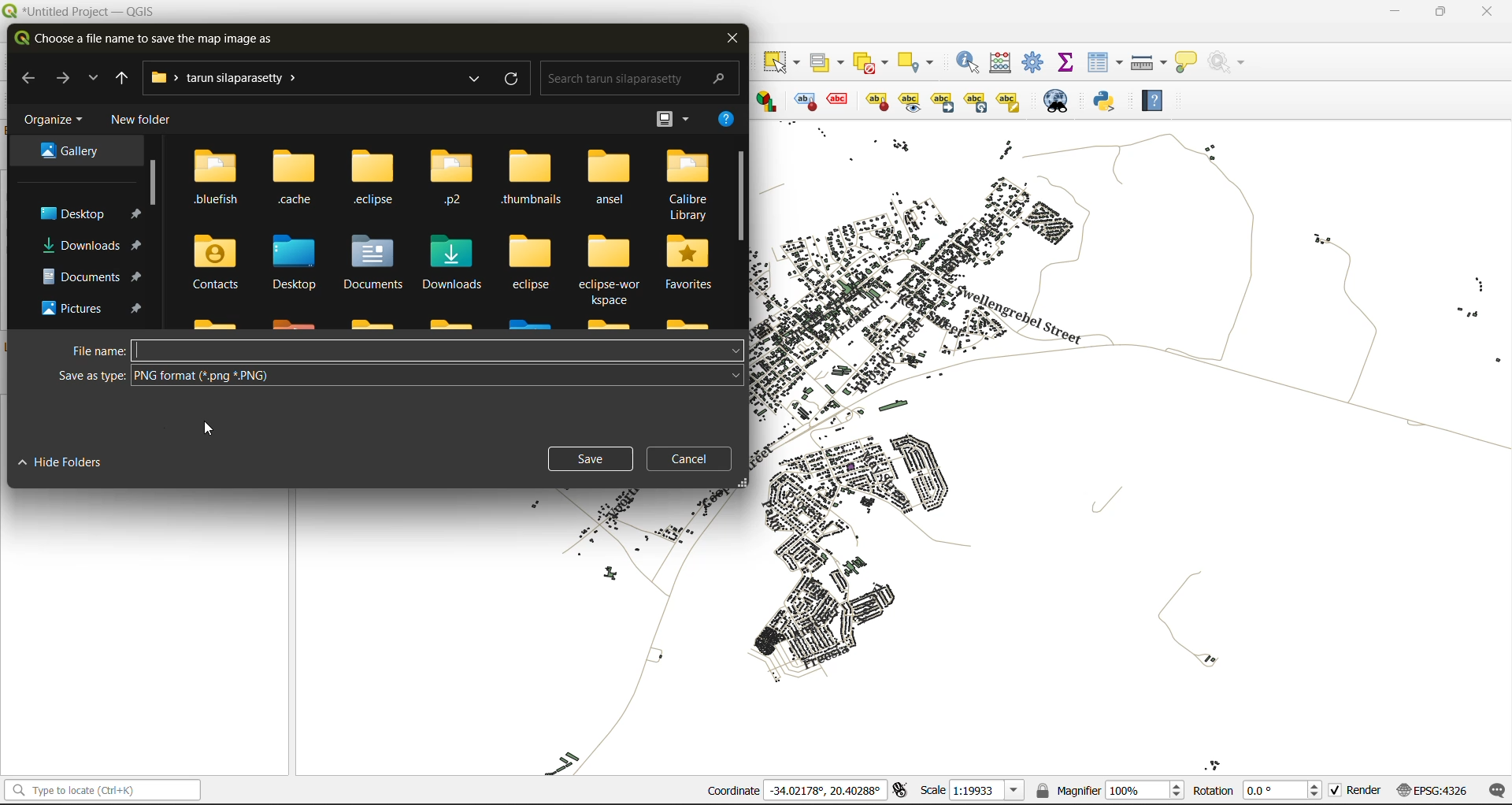 Image resolution: width=1512 pixels, height=805 pixels. Describe the element at coordinates (723, 121) in the screenshot. I see `help` at that location.